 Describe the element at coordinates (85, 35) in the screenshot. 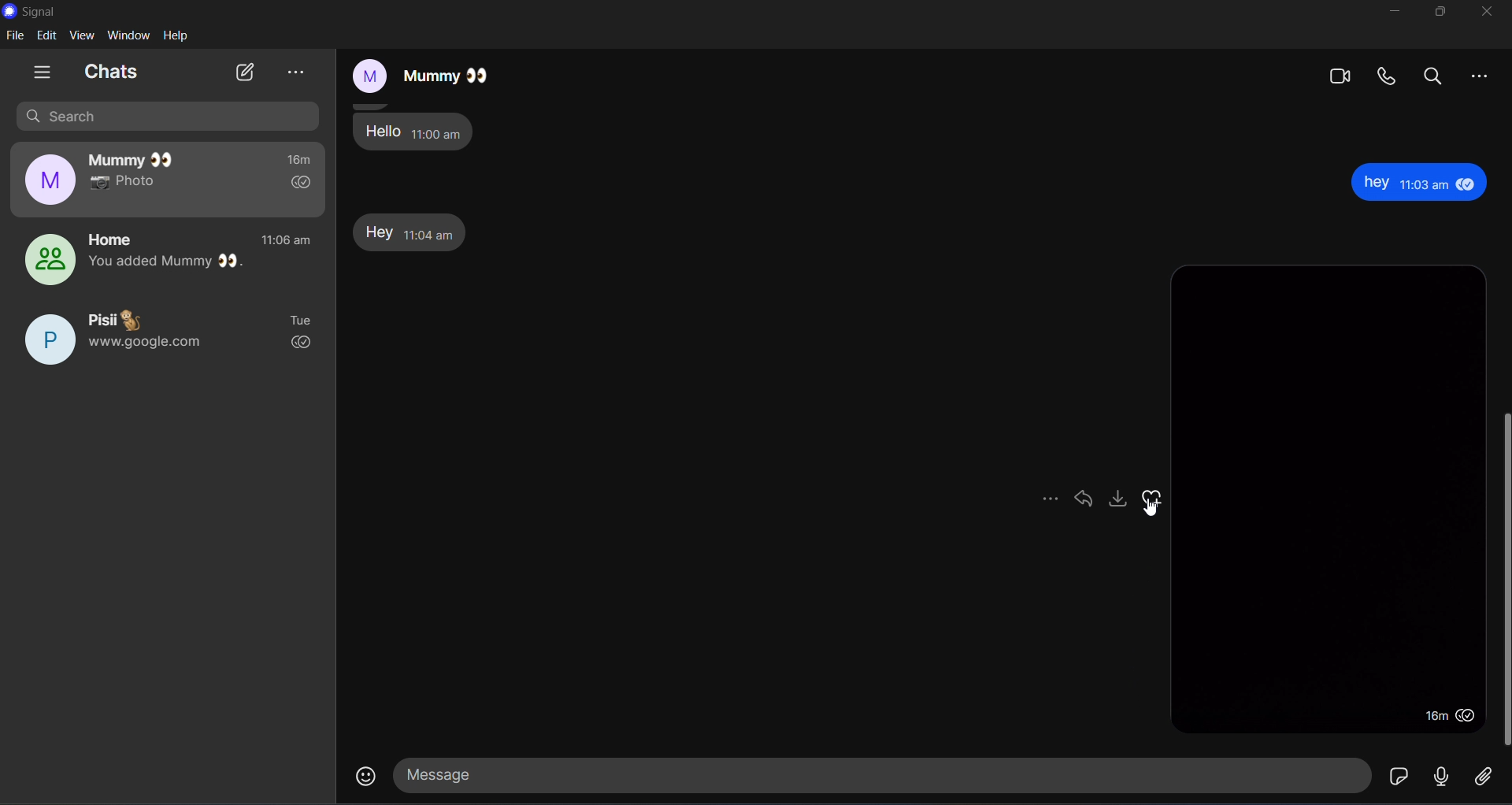

I see `view` at that location.